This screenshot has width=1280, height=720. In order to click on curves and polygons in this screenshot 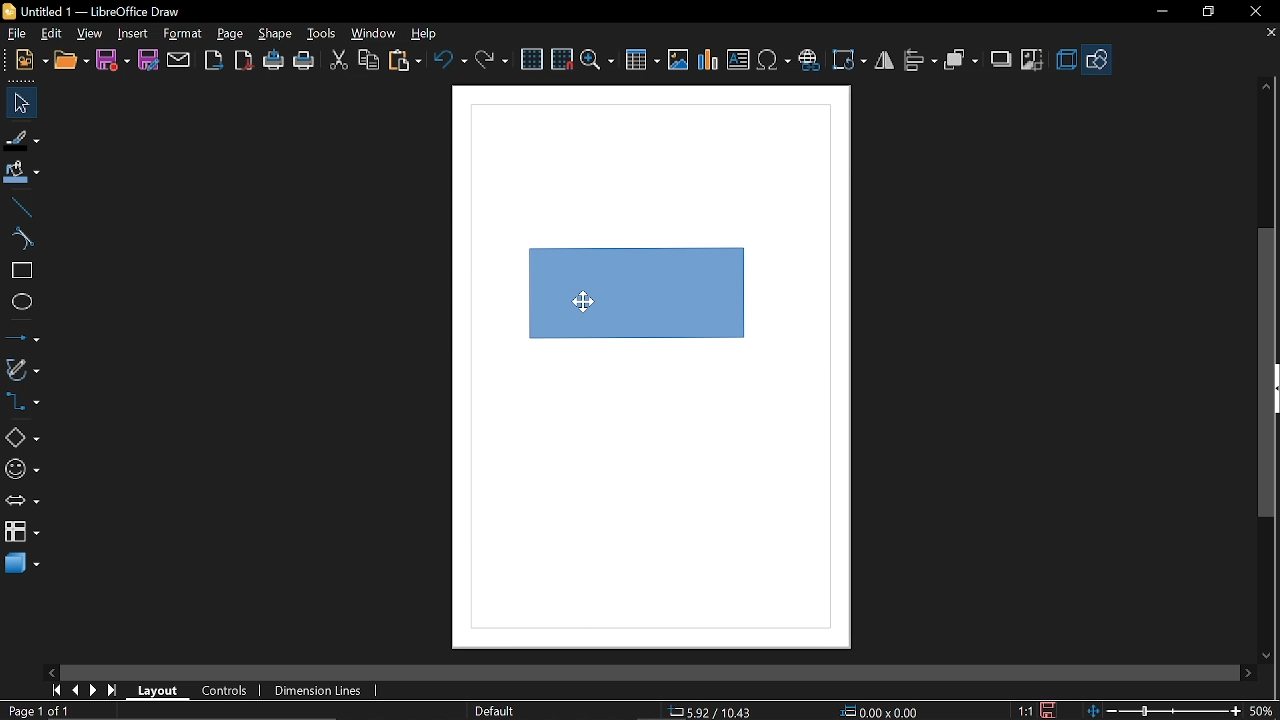, I will do `click(22, 370)`.